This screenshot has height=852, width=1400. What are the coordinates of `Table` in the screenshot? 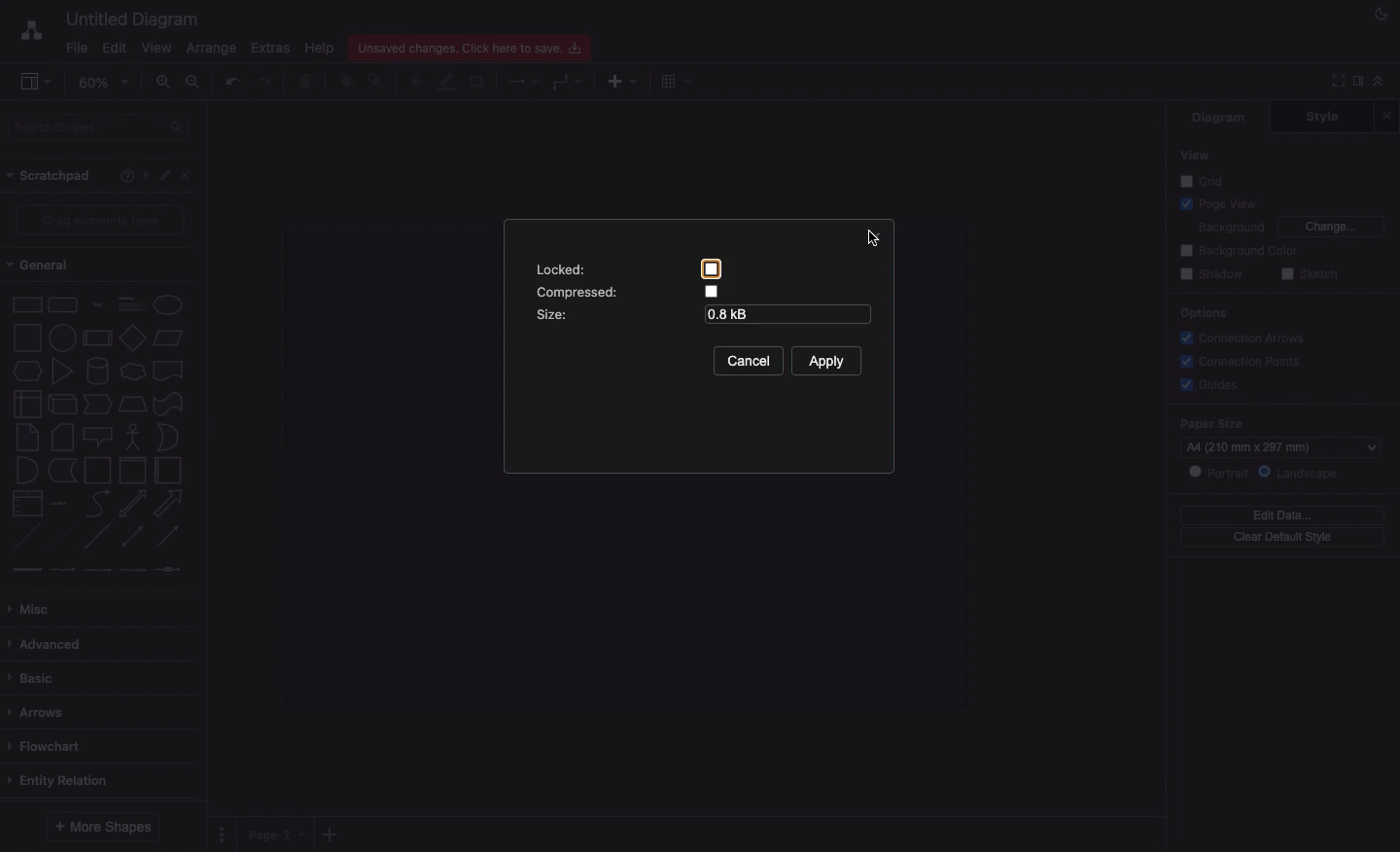 It's located at (678, 81).